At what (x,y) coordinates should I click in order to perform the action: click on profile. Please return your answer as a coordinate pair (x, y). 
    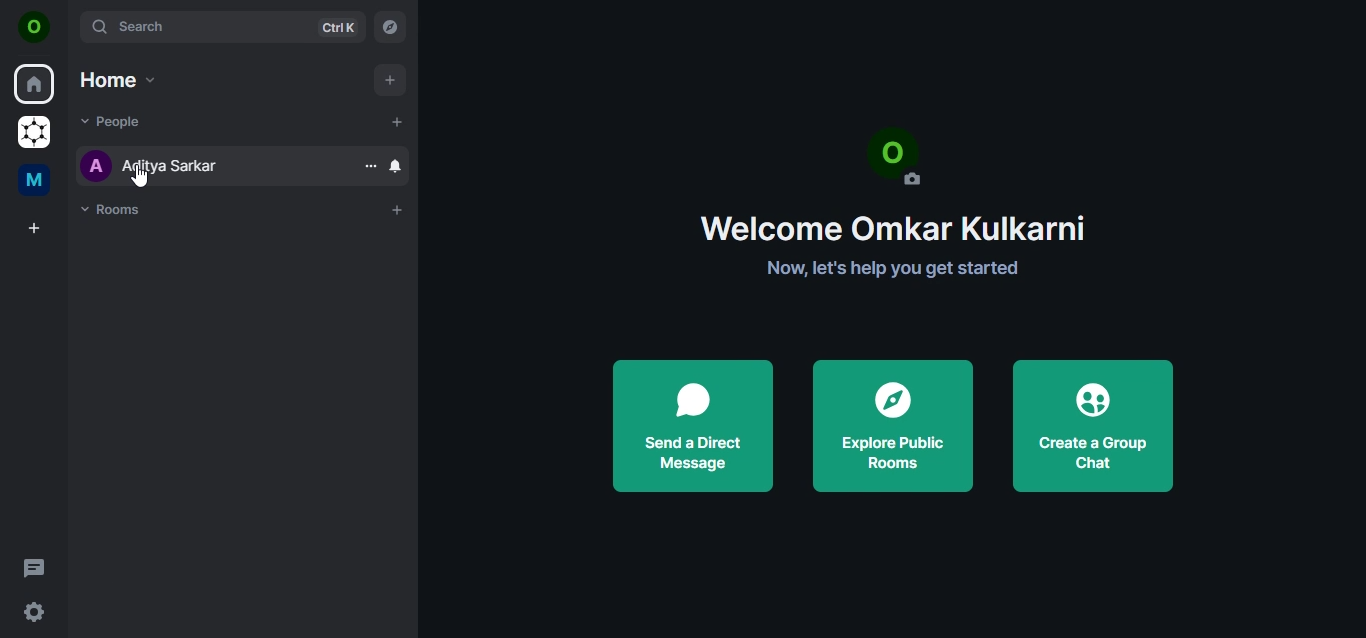
    Looking at the image, I should click on (902, 158).